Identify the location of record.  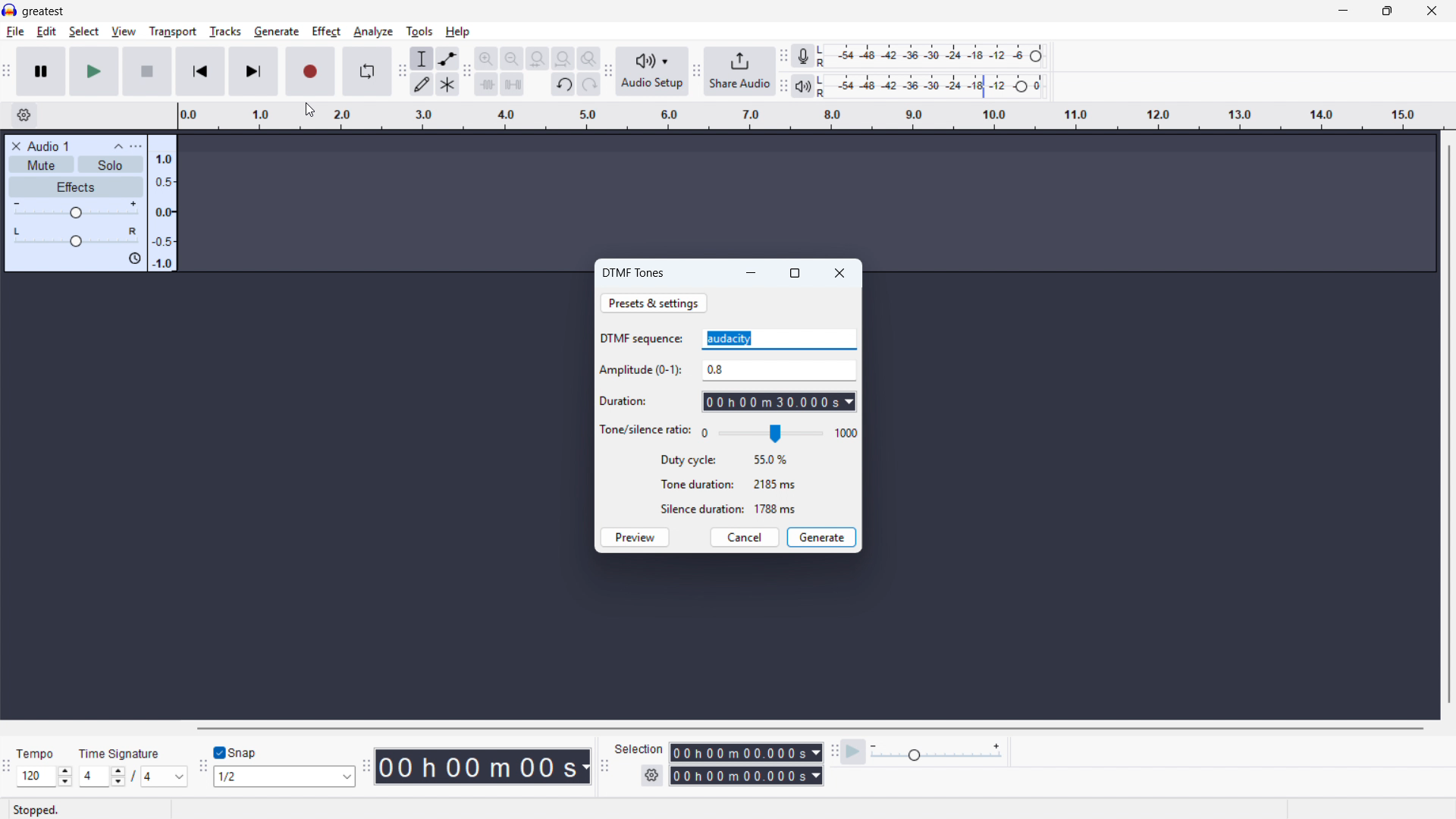
(310, 71).